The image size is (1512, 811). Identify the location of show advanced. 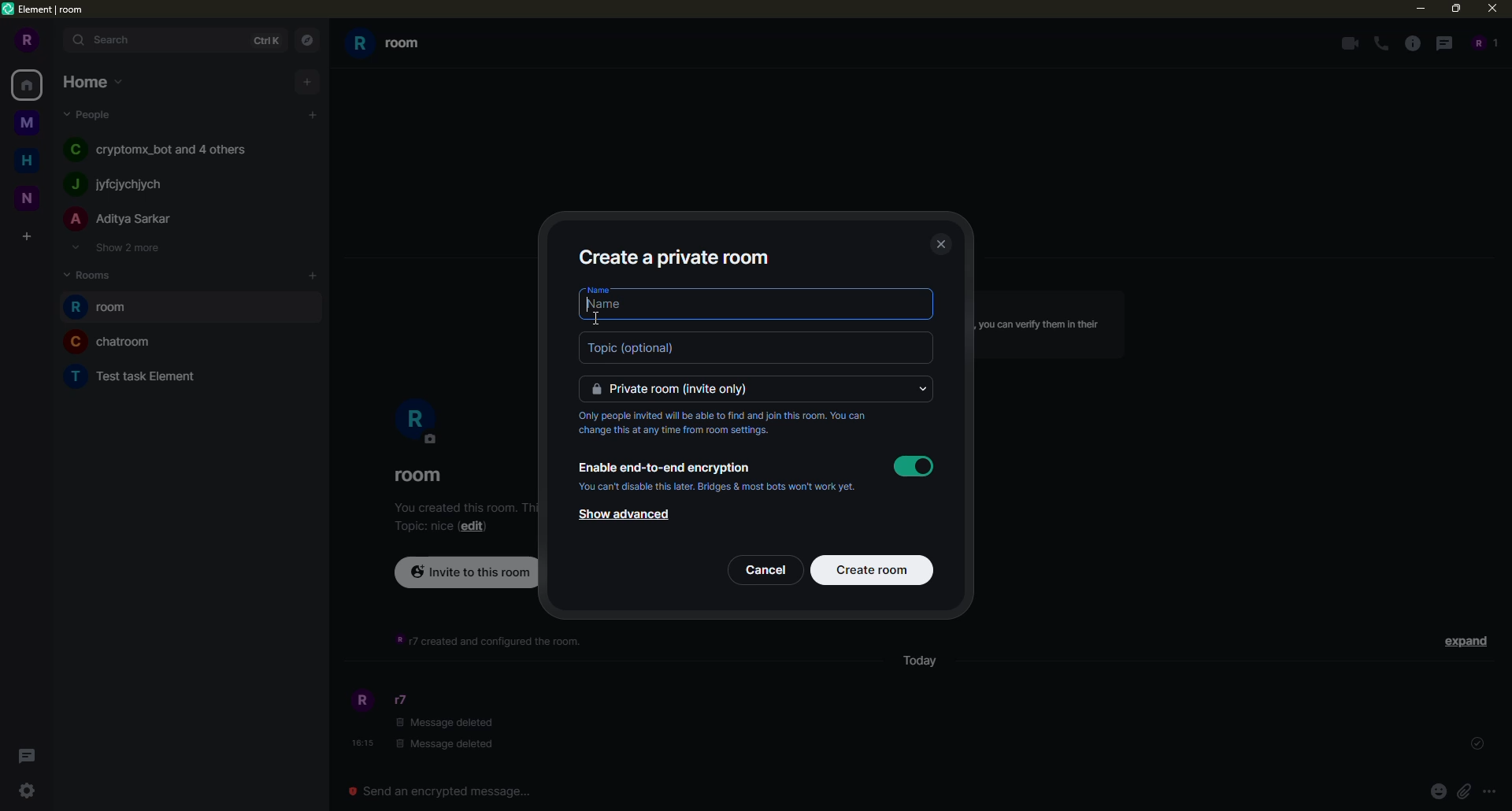
(637, 515).